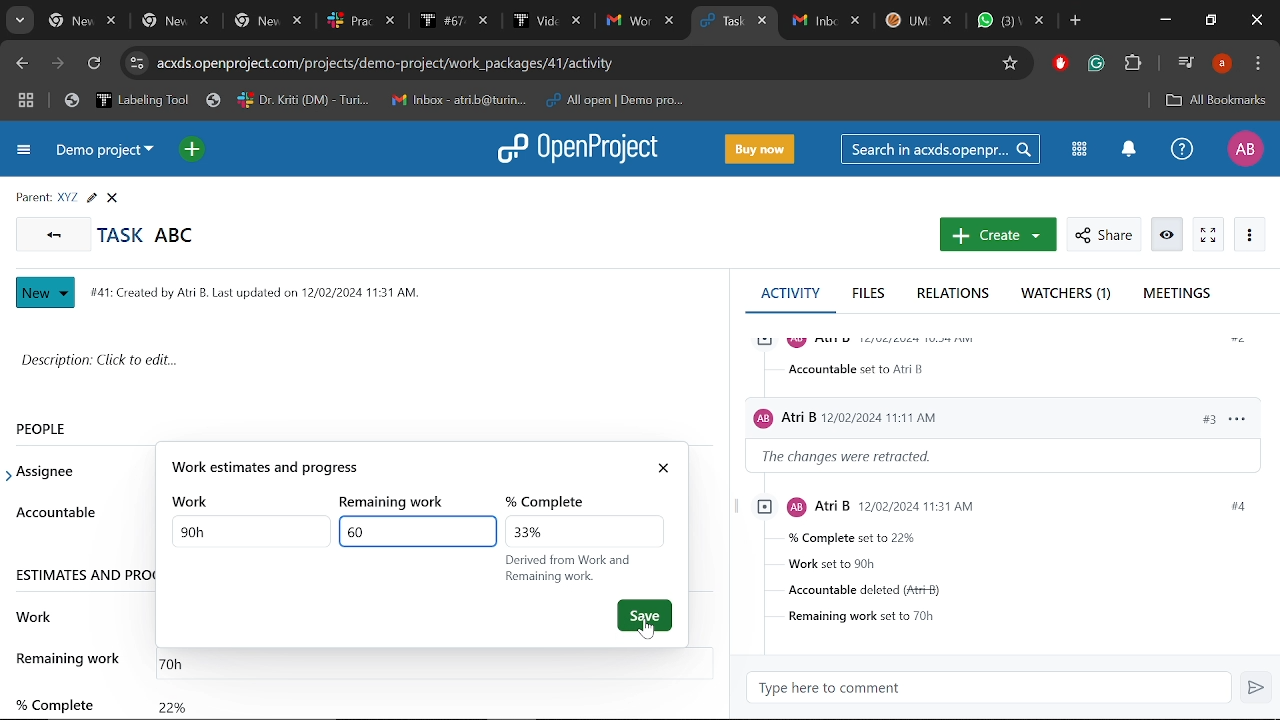 The height and width of the screenshot is (720, 1280). Describe the element at coordinates (263, 290) in the screenshot. I see `task info` at that location.